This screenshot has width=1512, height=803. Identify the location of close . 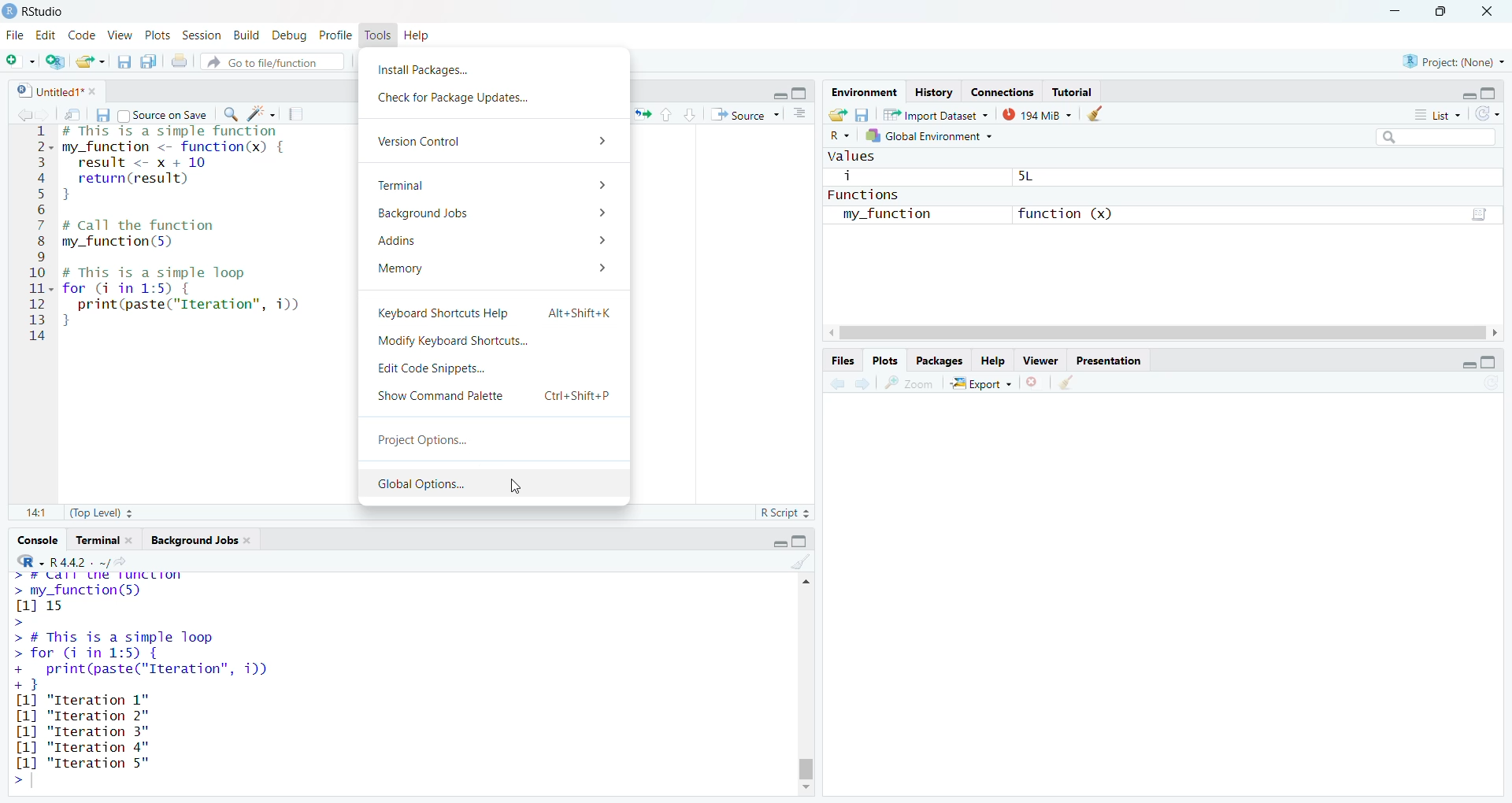
(134, 540).